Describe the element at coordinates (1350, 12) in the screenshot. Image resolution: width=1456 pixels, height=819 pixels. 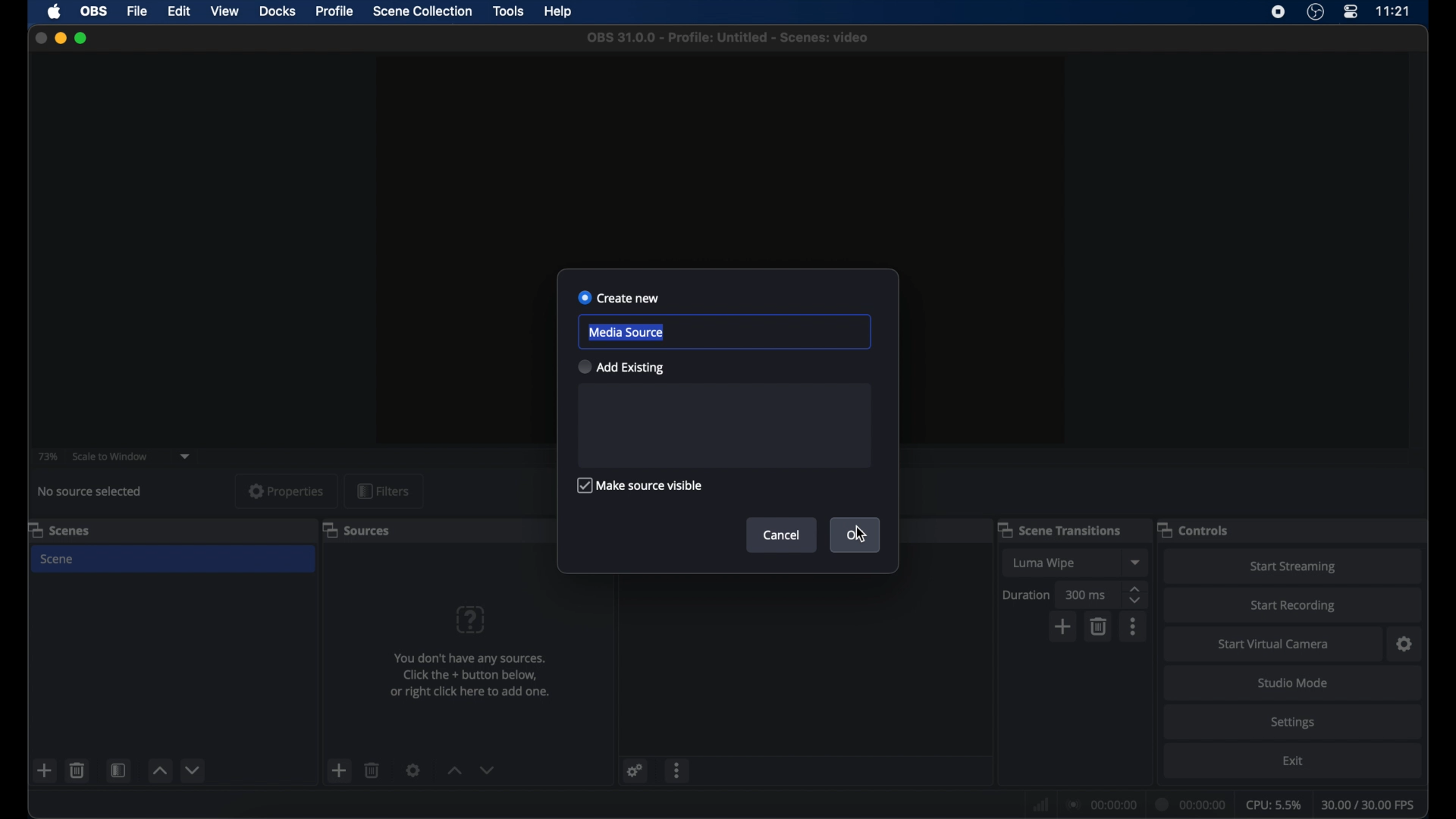
I see `control center` at that location.